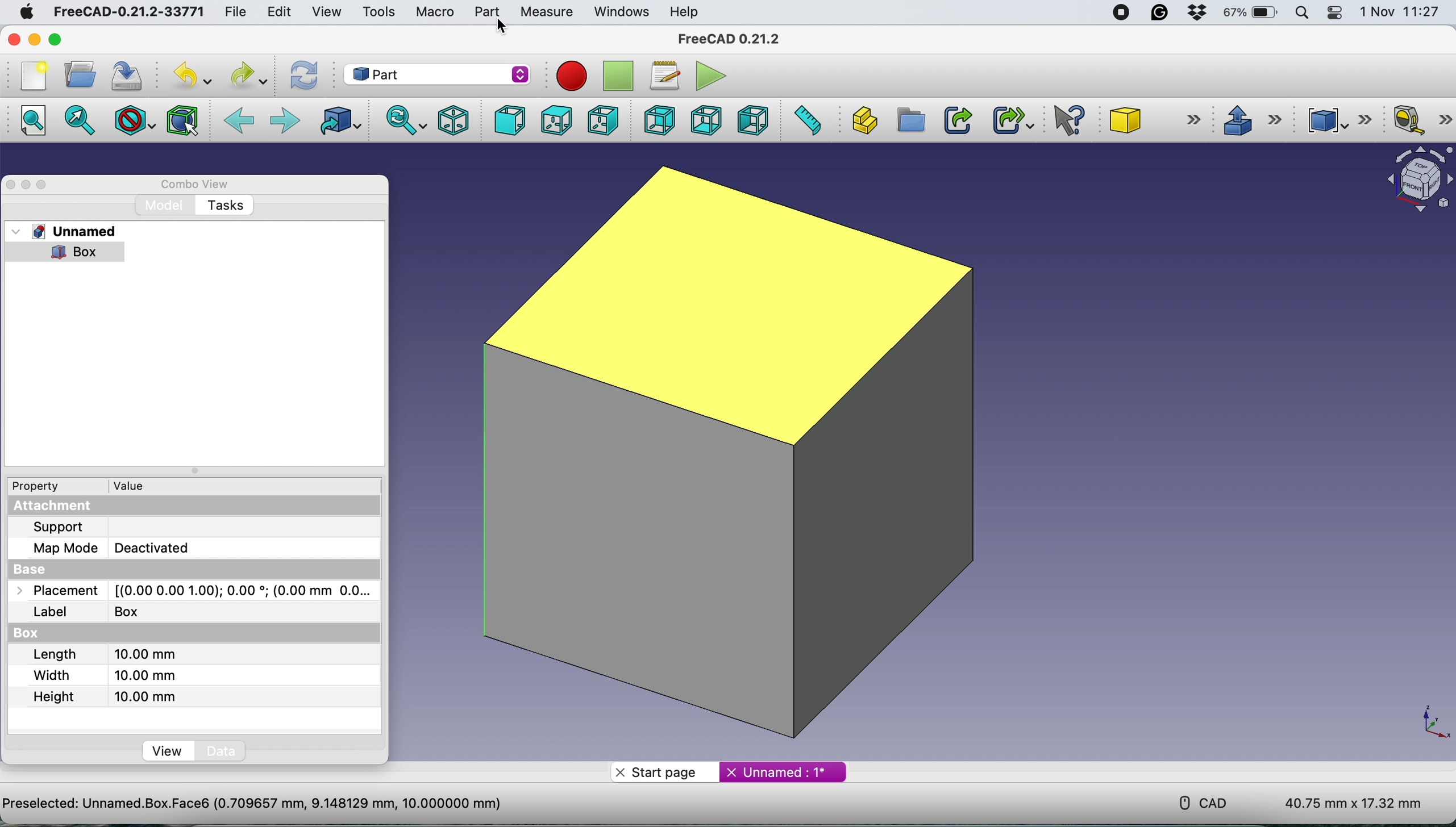  I want to click on view, so click(326, 12).